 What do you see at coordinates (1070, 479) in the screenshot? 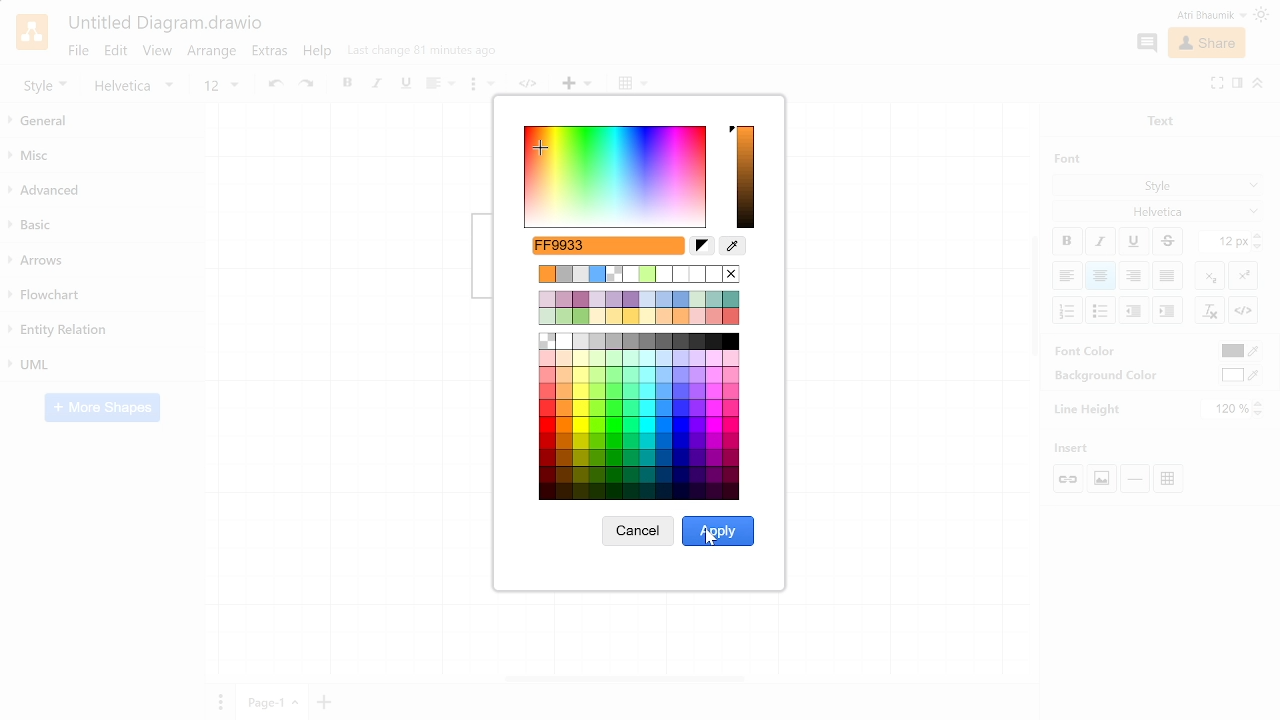
I see `Link` at bounding box center [1070, 479].